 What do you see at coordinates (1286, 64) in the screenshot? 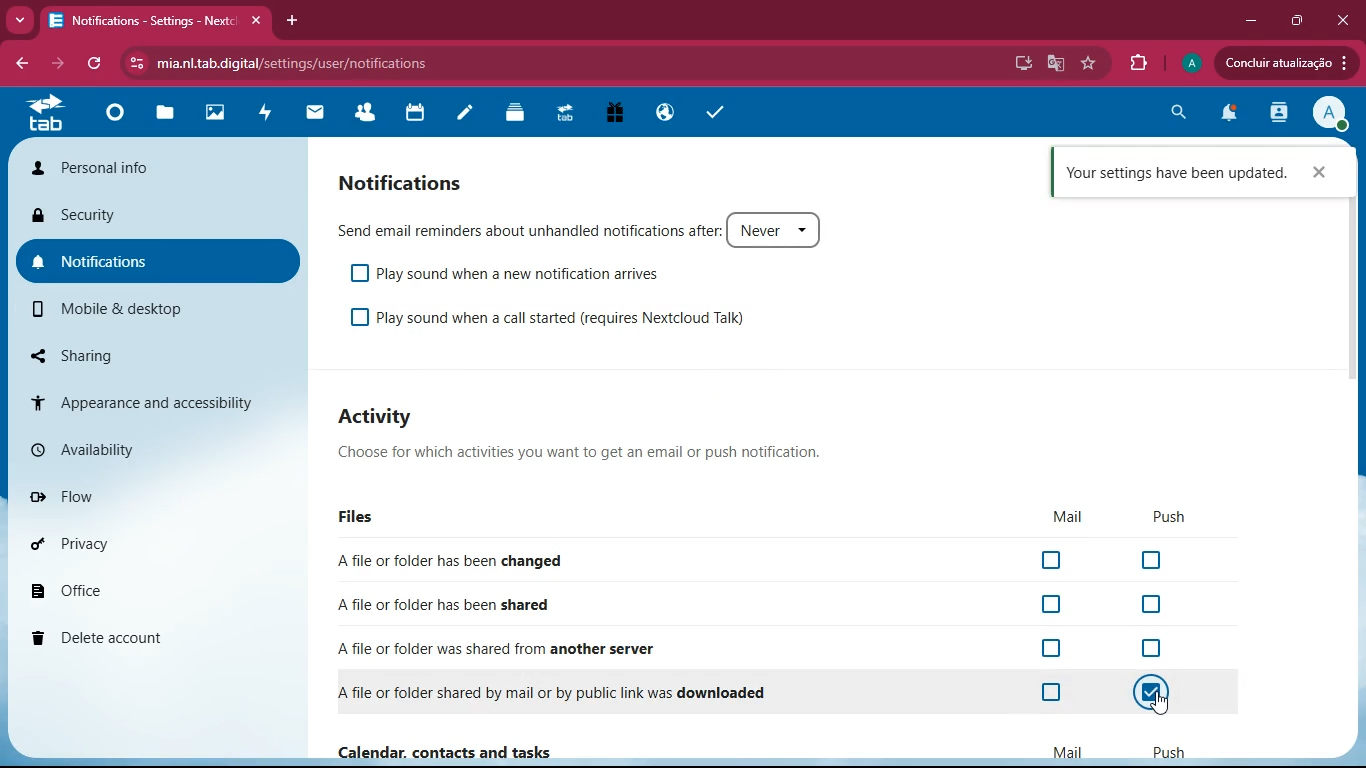
I see `Concluir atualizacao` at bounding box center [1286, 64].